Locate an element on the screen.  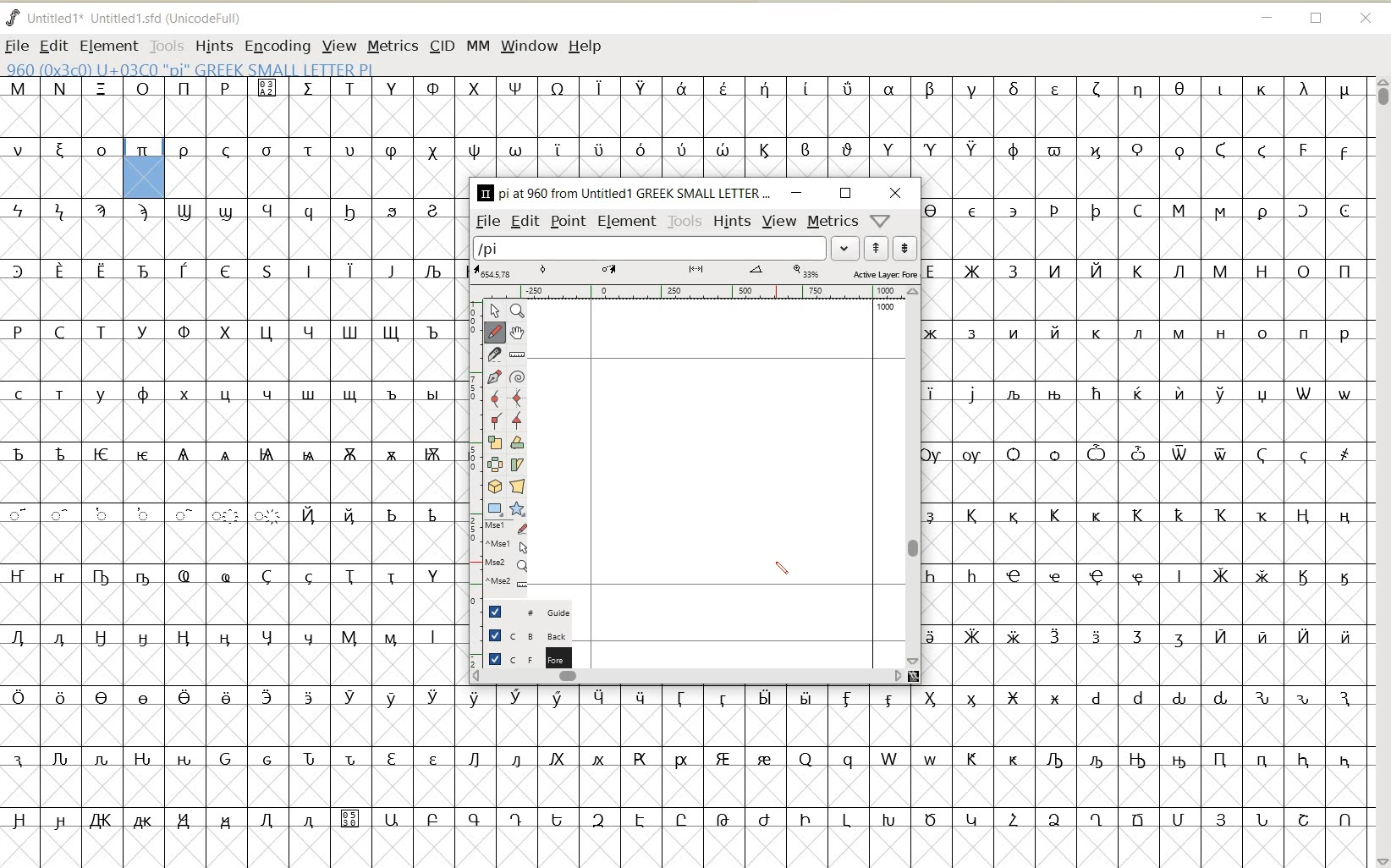
glyph name is located at coordinates (623, 191).